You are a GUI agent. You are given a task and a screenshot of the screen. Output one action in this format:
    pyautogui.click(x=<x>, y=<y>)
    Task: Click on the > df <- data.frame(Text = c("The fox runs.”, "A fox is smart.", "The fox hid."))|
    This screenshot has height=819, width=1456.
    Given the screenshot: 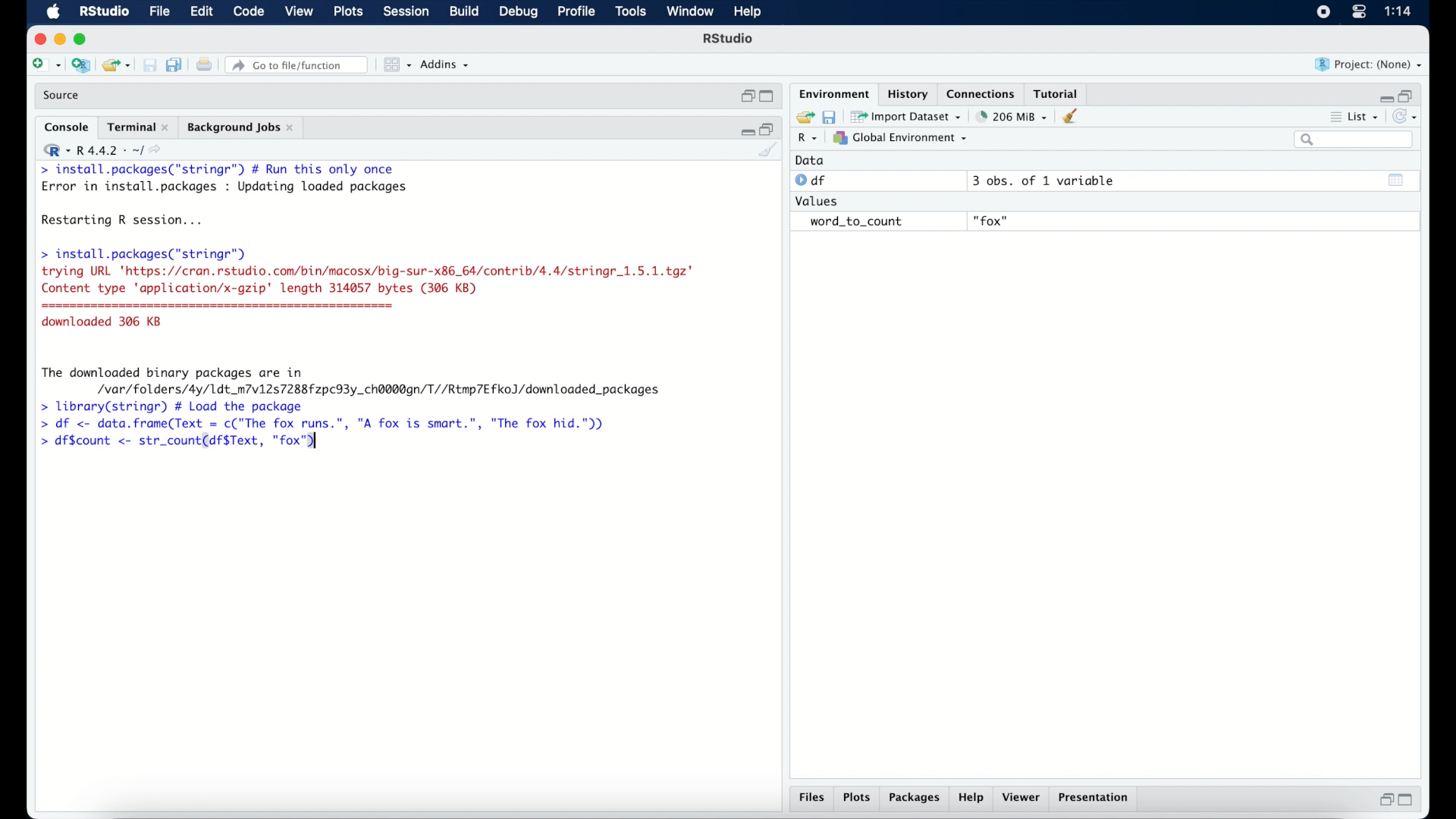 What is the action you would take?
    pyautogui.click(x=331, y=424)
    